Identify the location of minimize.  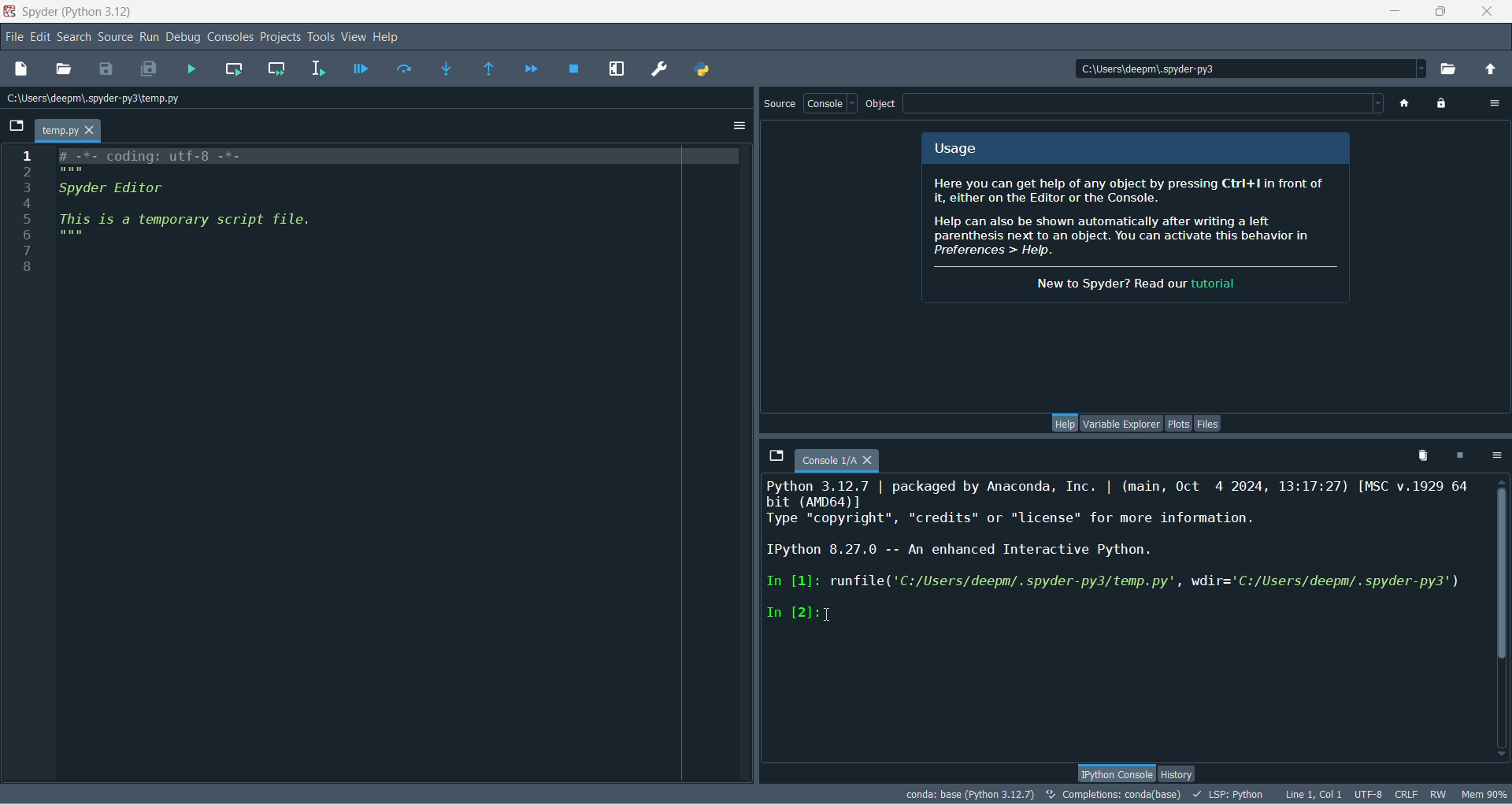
(1397, 12).